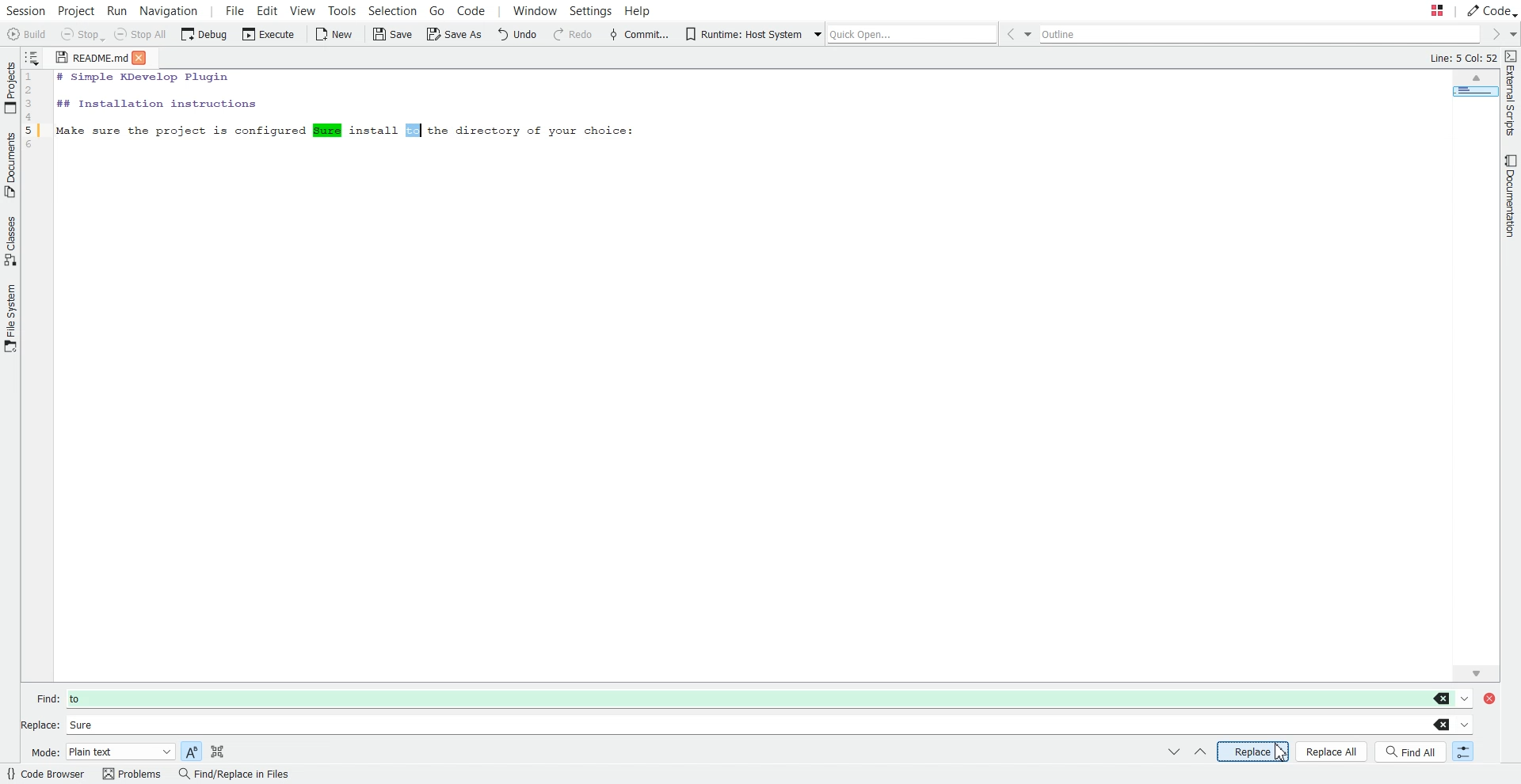 The height and width of the screenshot is (784, 1521). I want to click on Debug, so click(204, 35).